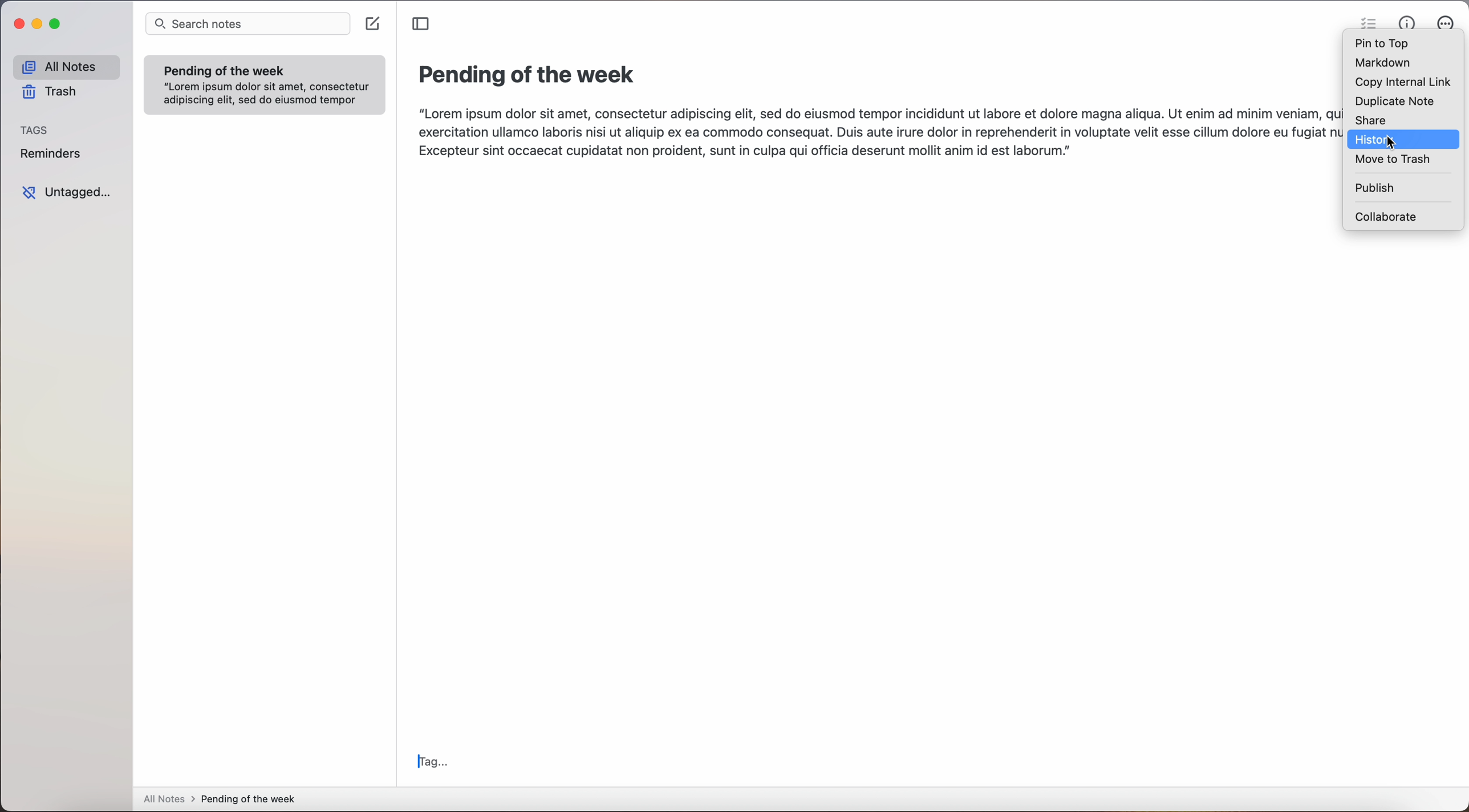  What do you see at coordinates (38, 23) in the screenshot?
I see `minimize Simplenote` at bounding box center [38, 23].